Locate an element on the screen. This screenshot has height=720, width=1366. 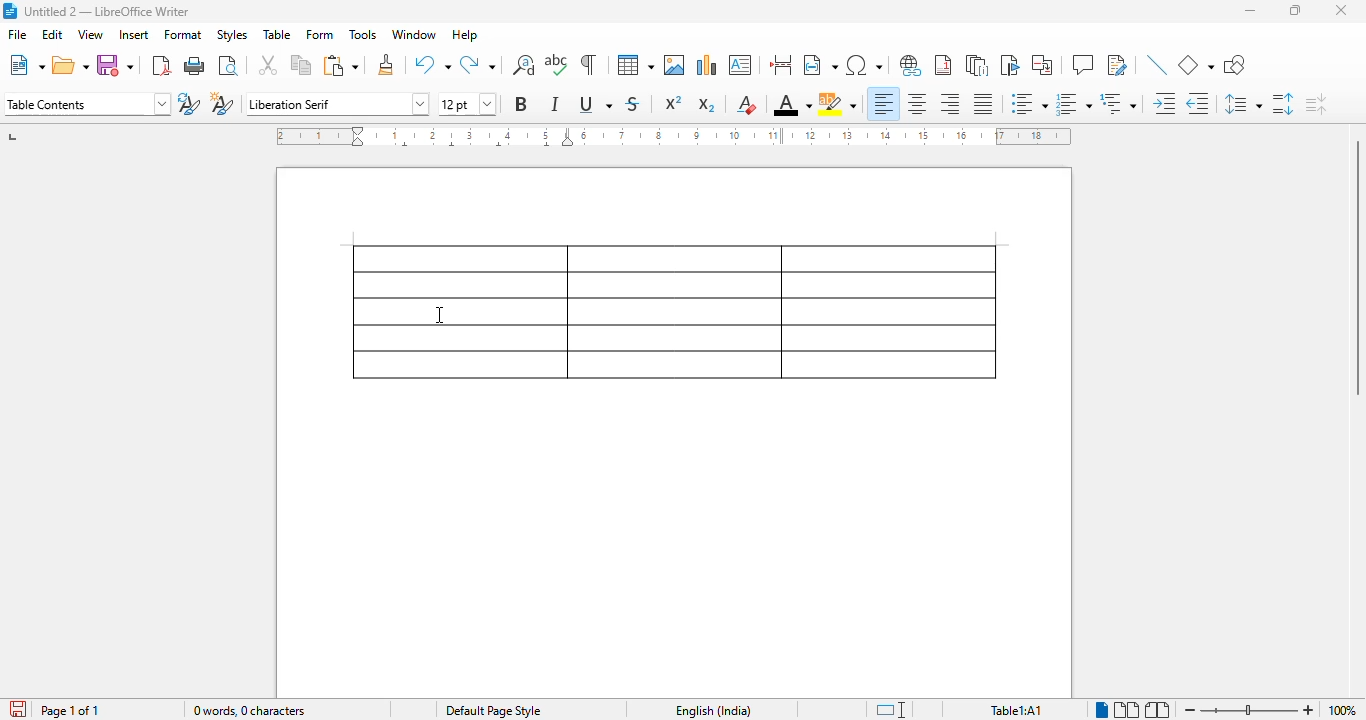
multi-page view is located at coordinates (1127, 709).